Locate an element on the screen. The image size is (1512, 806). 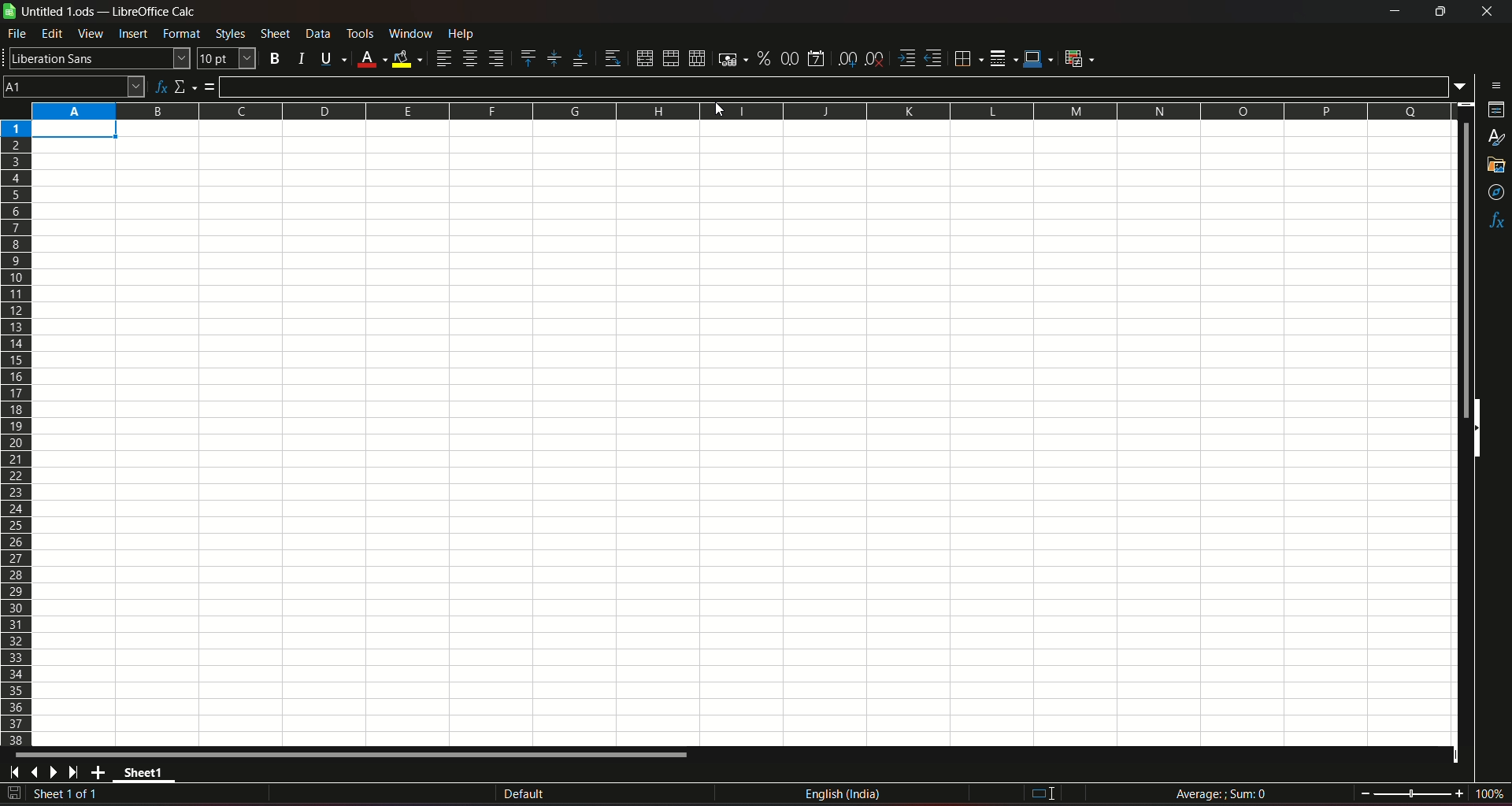
last sheet is located at coordinates (74, 772).